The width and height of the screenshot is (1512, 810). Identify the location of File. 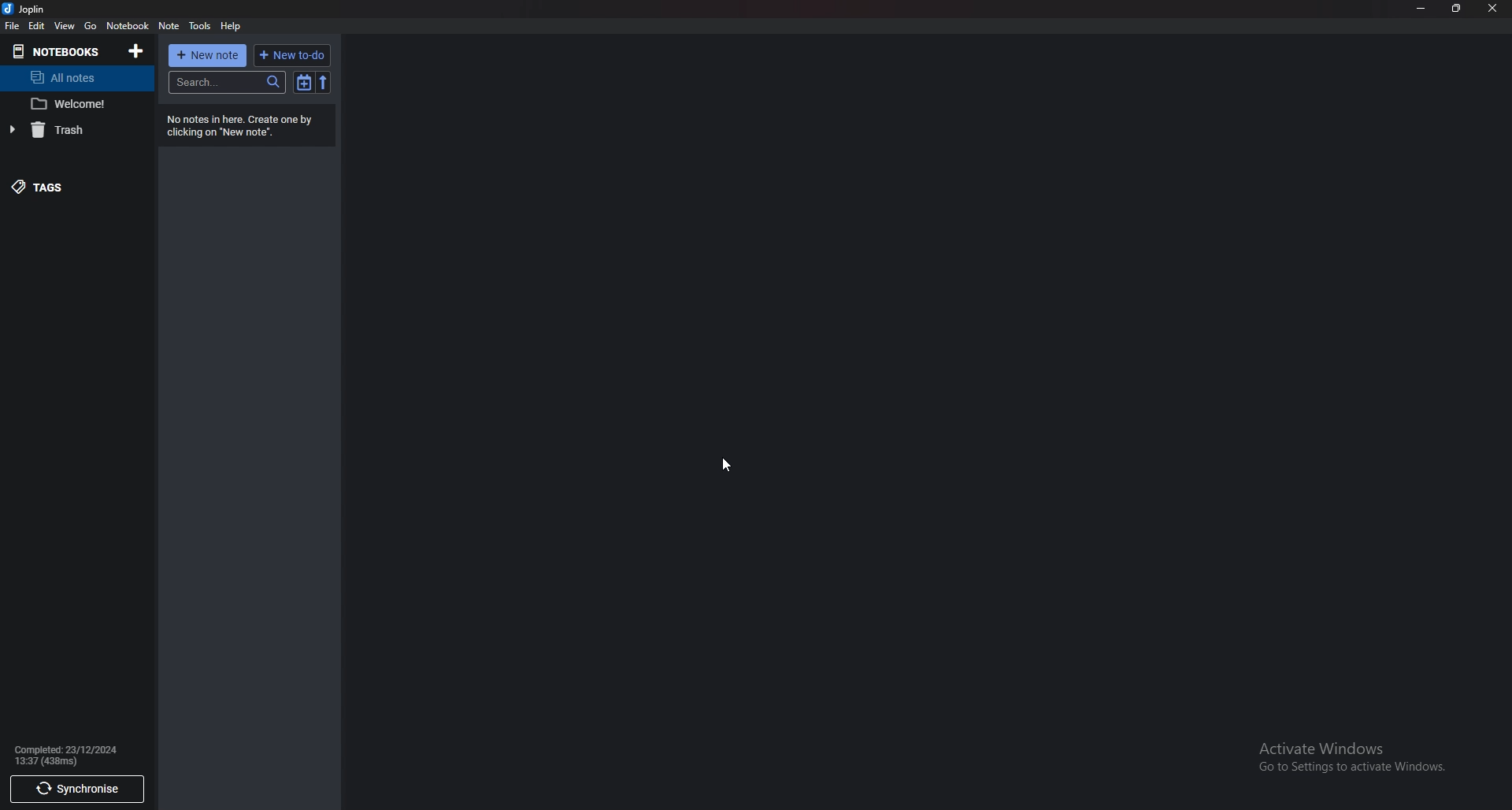
(12, 26).